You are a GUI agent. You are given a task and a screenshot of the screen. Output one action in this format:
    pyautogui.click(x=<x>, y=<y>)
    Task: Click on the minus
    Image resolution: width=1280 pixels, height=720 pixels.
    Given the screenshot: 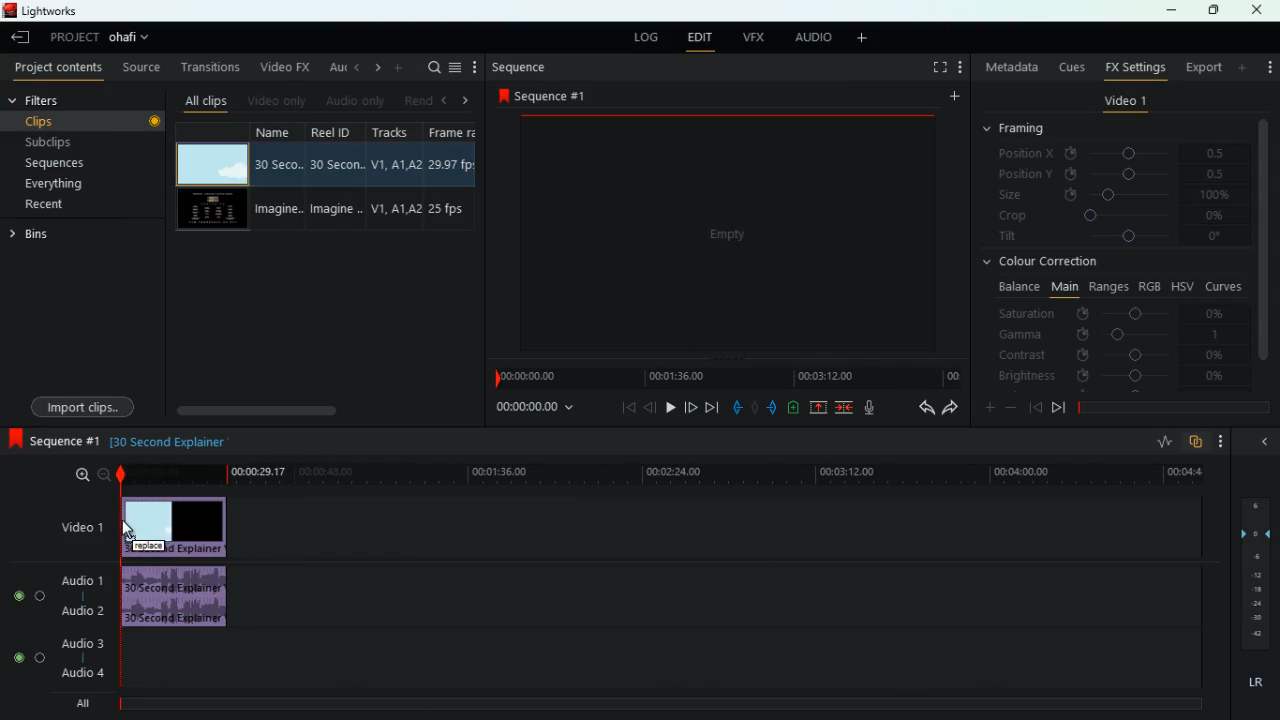 What is the action you would take?
    pyautogui.click(x=1014, y=408)
    